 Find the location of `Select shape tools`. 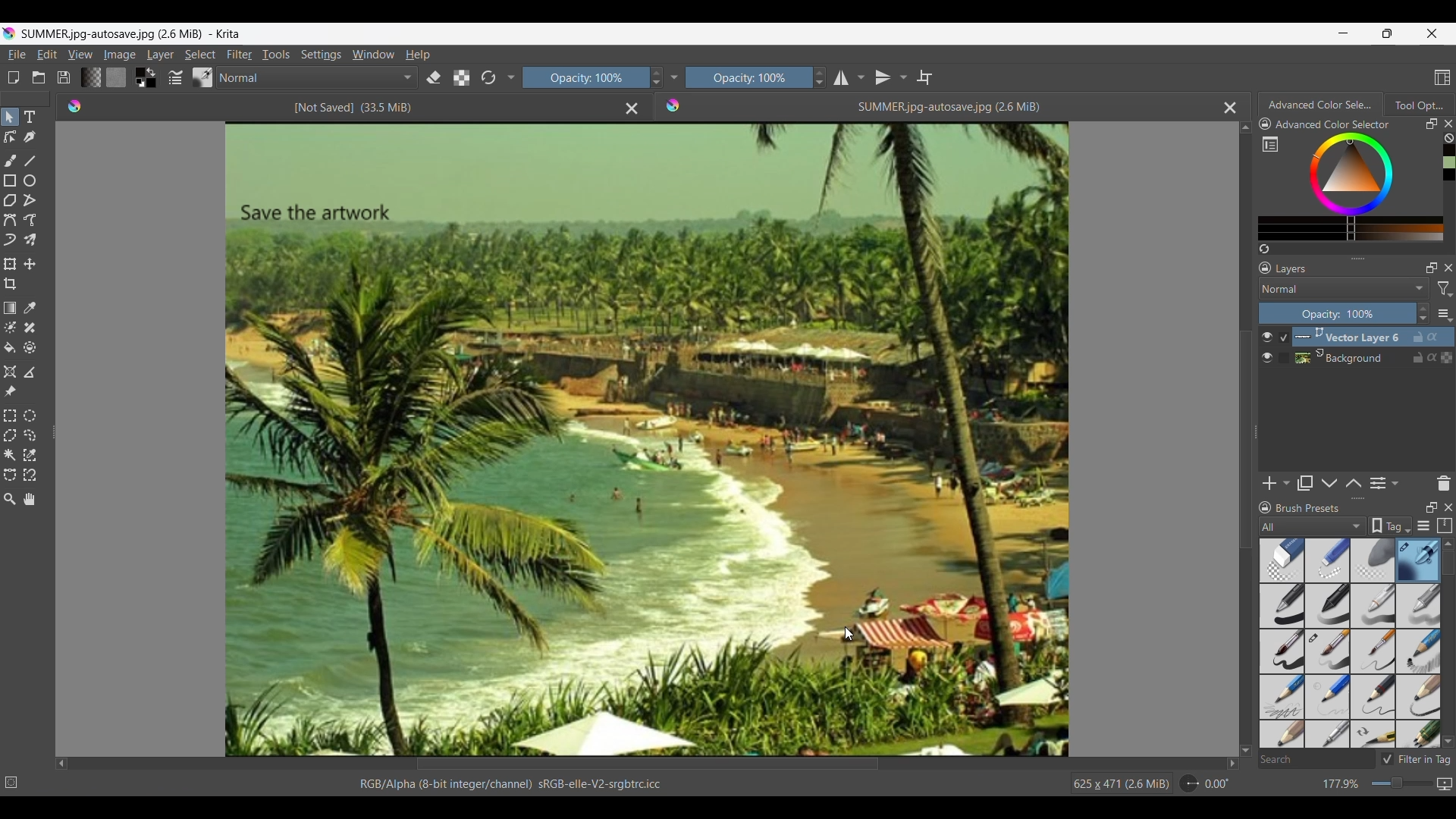

Select shape tools is located at coordinates (11, 117).